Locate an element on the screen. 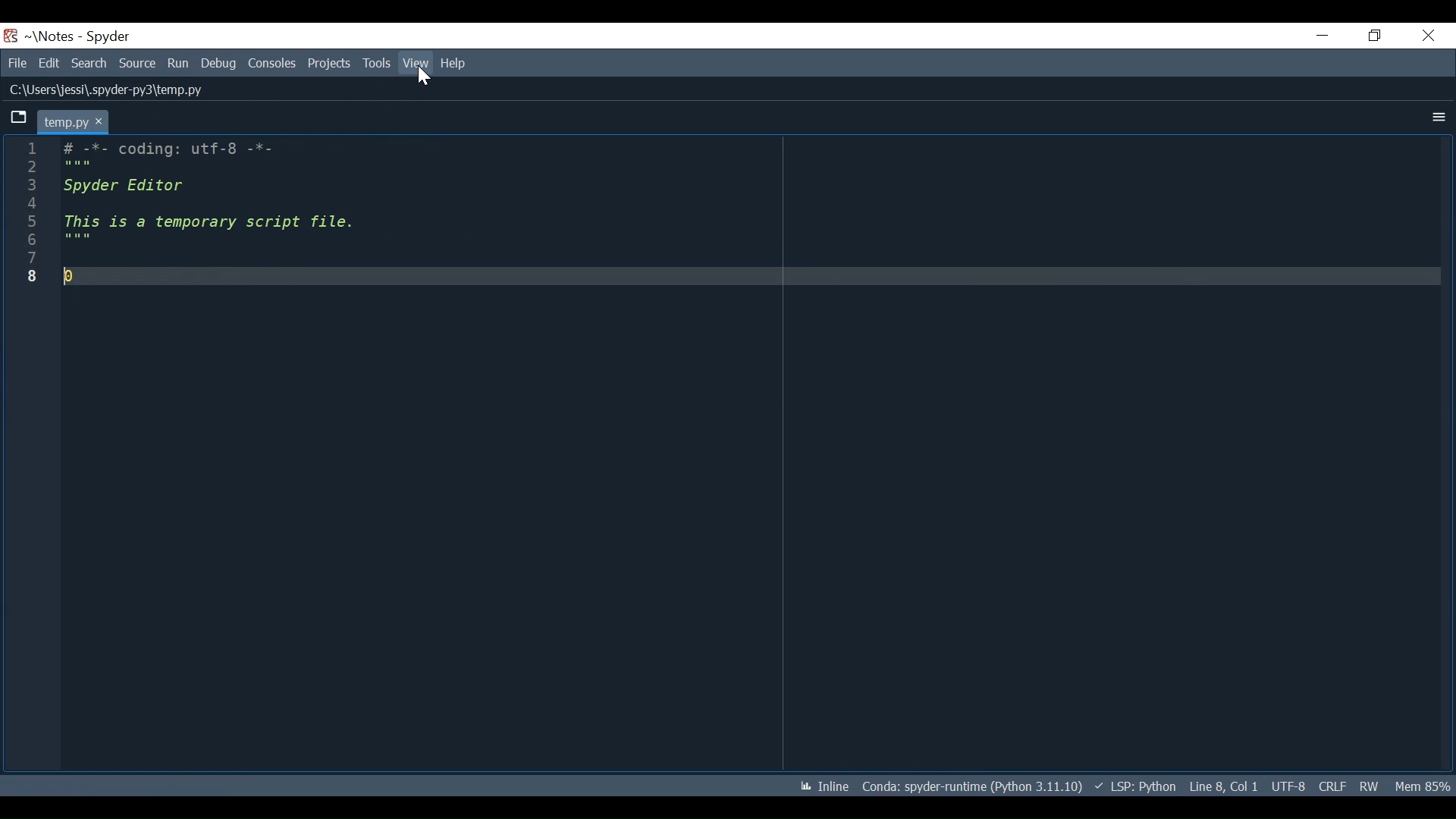 The width and height of the screenshot is (1456, 819). Debug is located at coordinates (219, 64).